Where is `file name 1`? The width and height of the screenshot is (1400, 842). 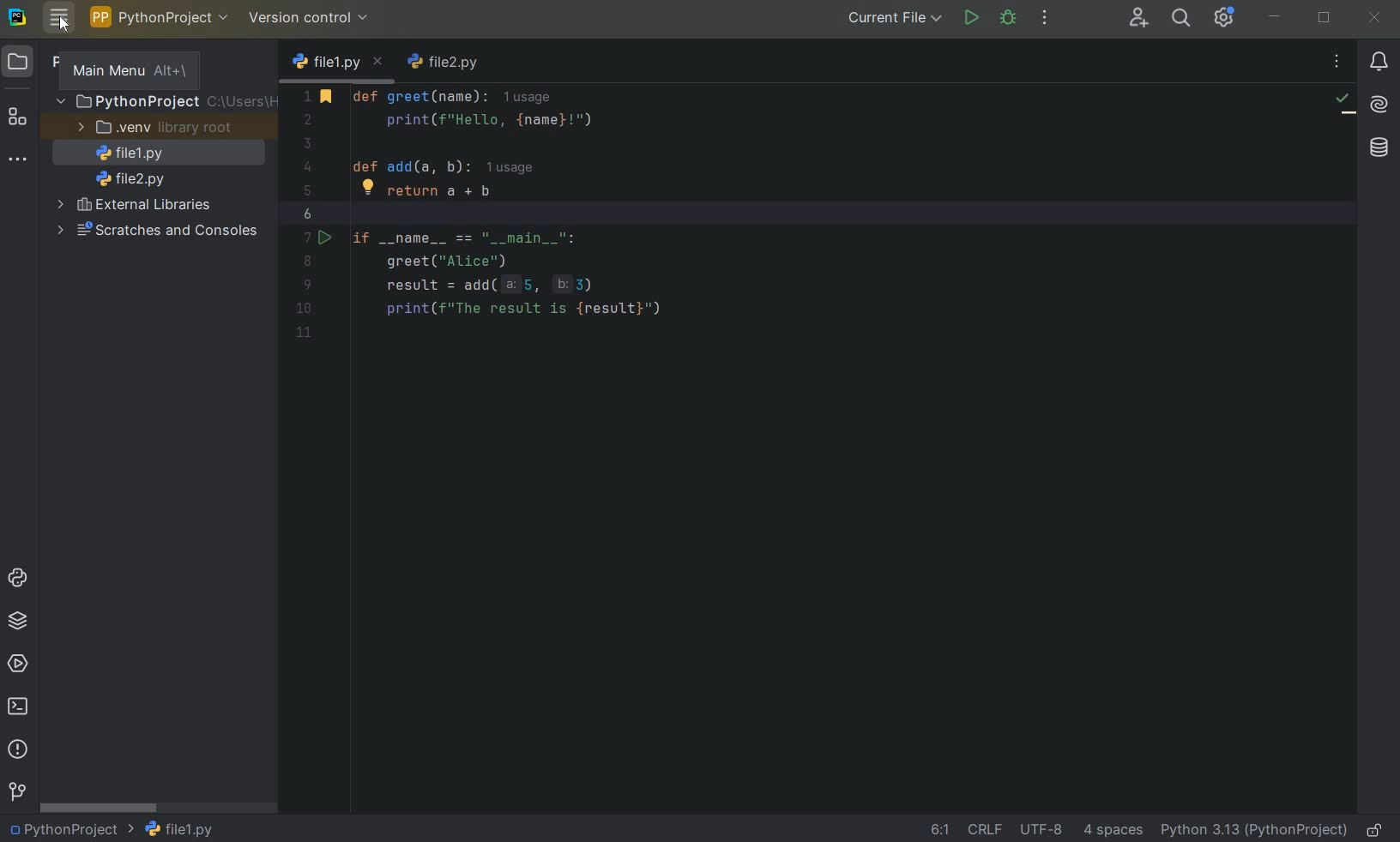 file name 1 is located at coordinates (338, 63).